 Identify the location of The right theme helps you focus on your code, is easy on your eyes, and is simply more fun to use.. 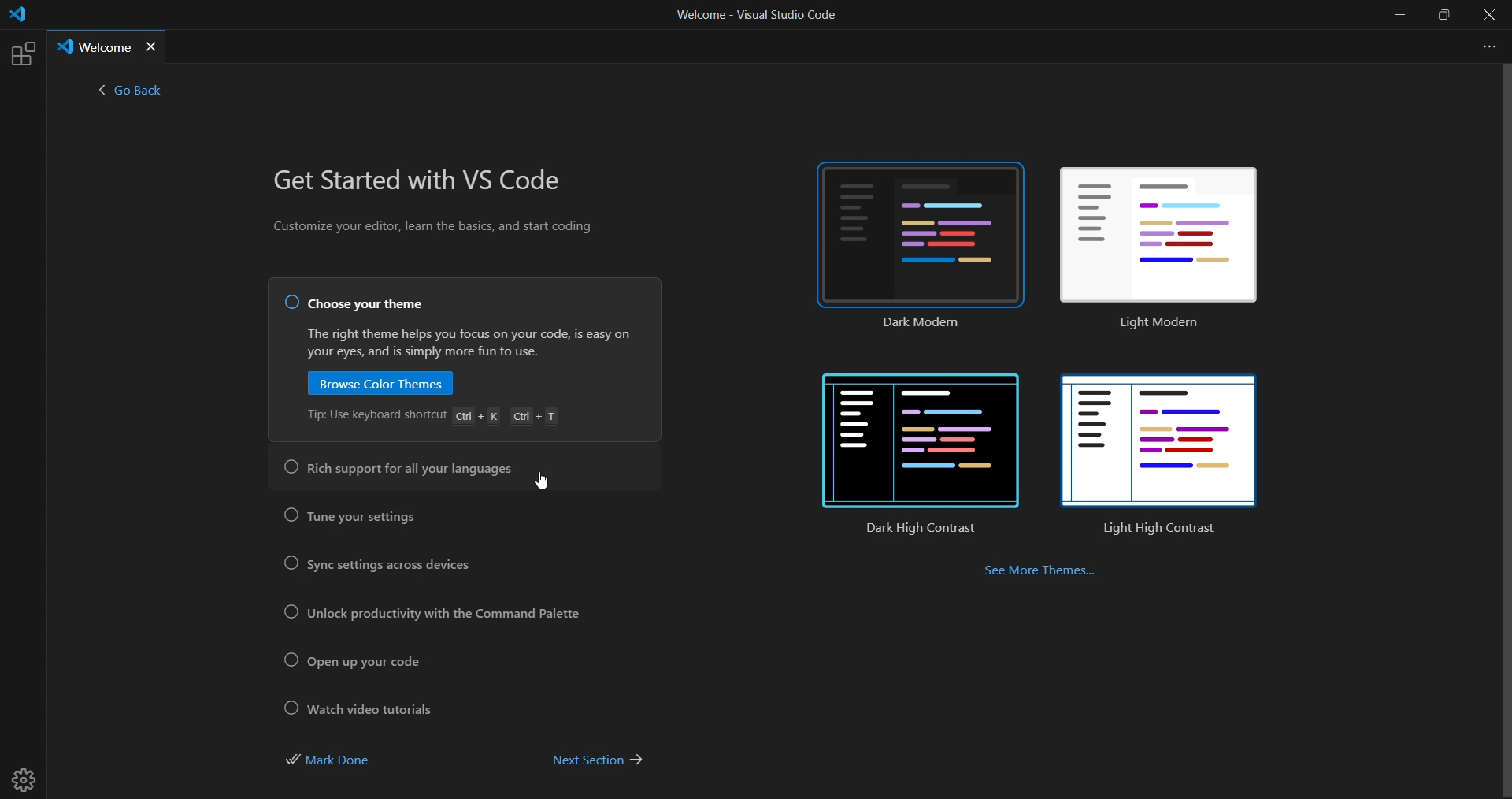
(476, 343).